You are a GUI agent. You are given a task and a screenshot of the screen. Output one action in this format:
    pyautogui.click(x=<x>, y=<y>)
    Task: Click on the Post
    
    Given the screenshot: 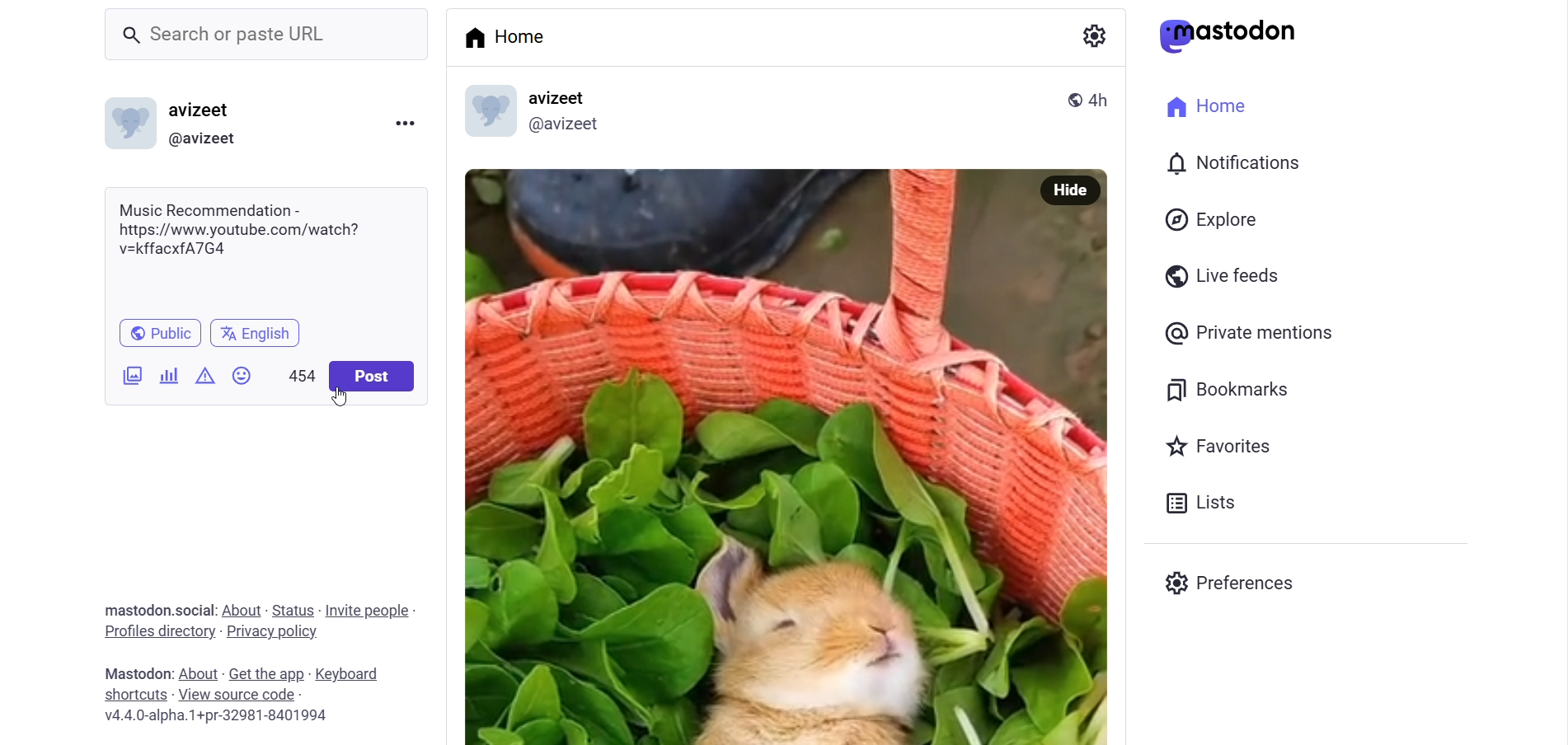 What is the action you would take?
    pyautogui.click(x=373, y=377)
    